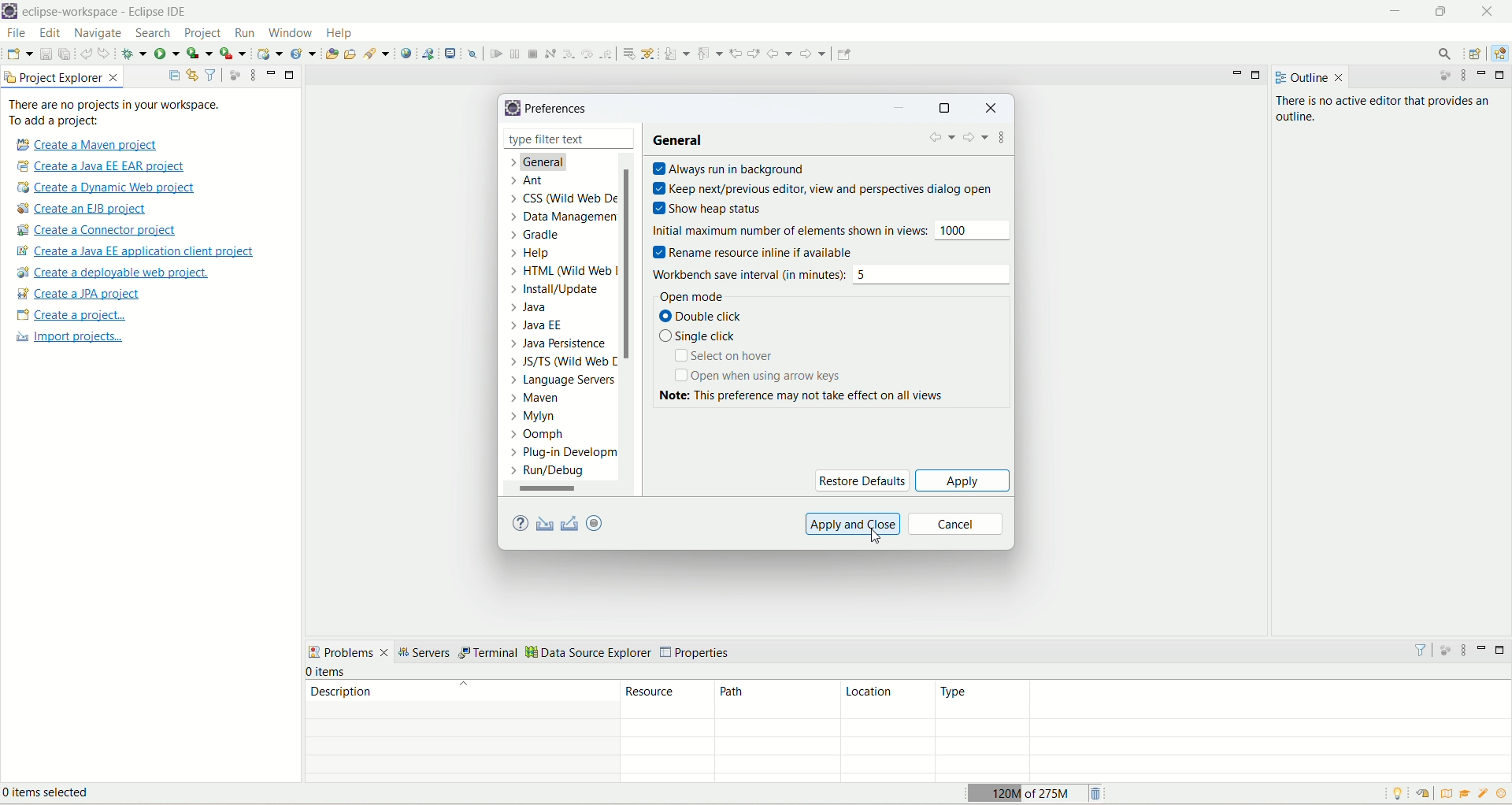  I want to click on There are no projects in your workspace. To add a project:, so click(115, 113).